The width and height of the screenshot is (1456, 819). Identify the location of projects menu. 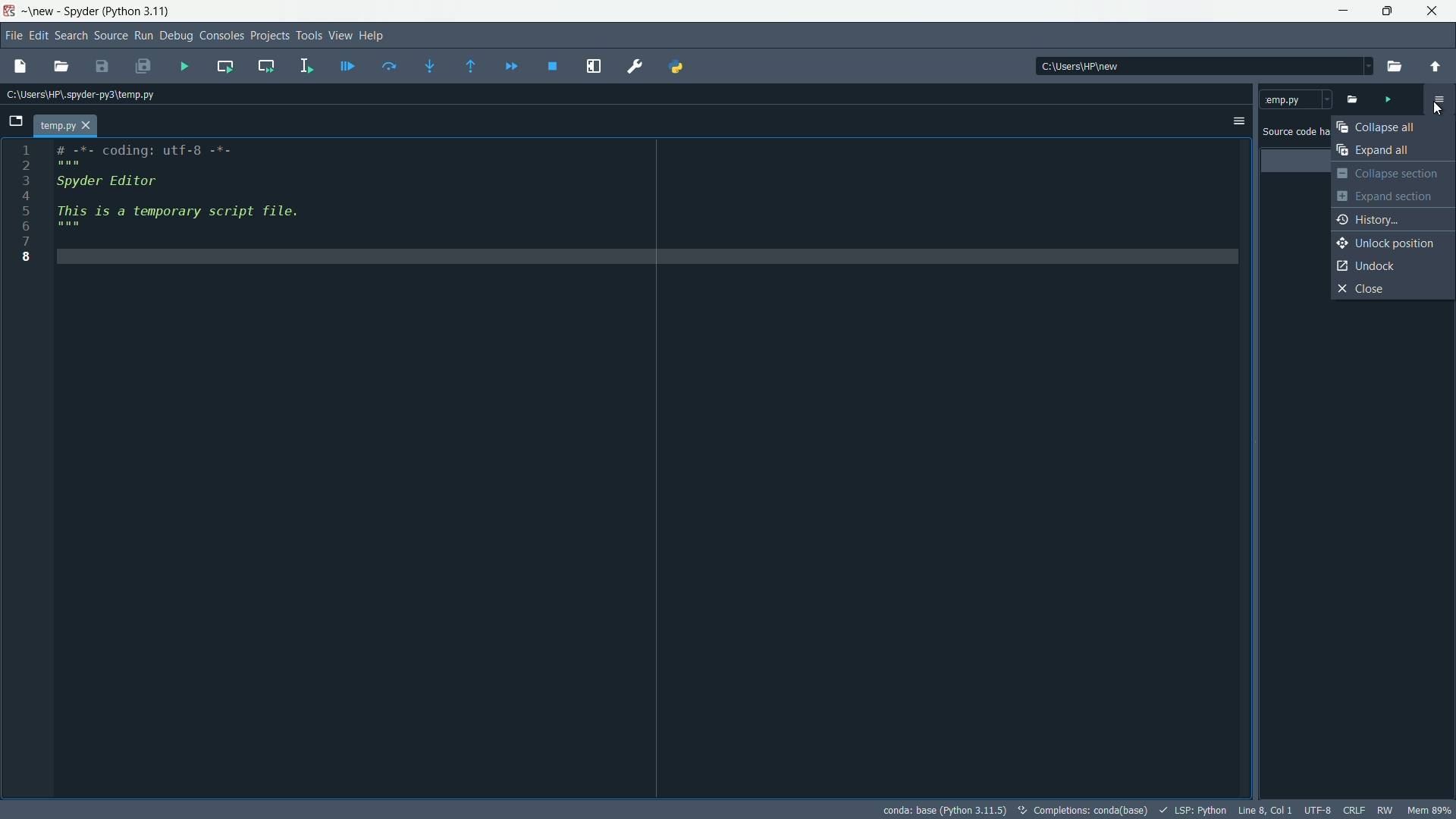
(269, 36).